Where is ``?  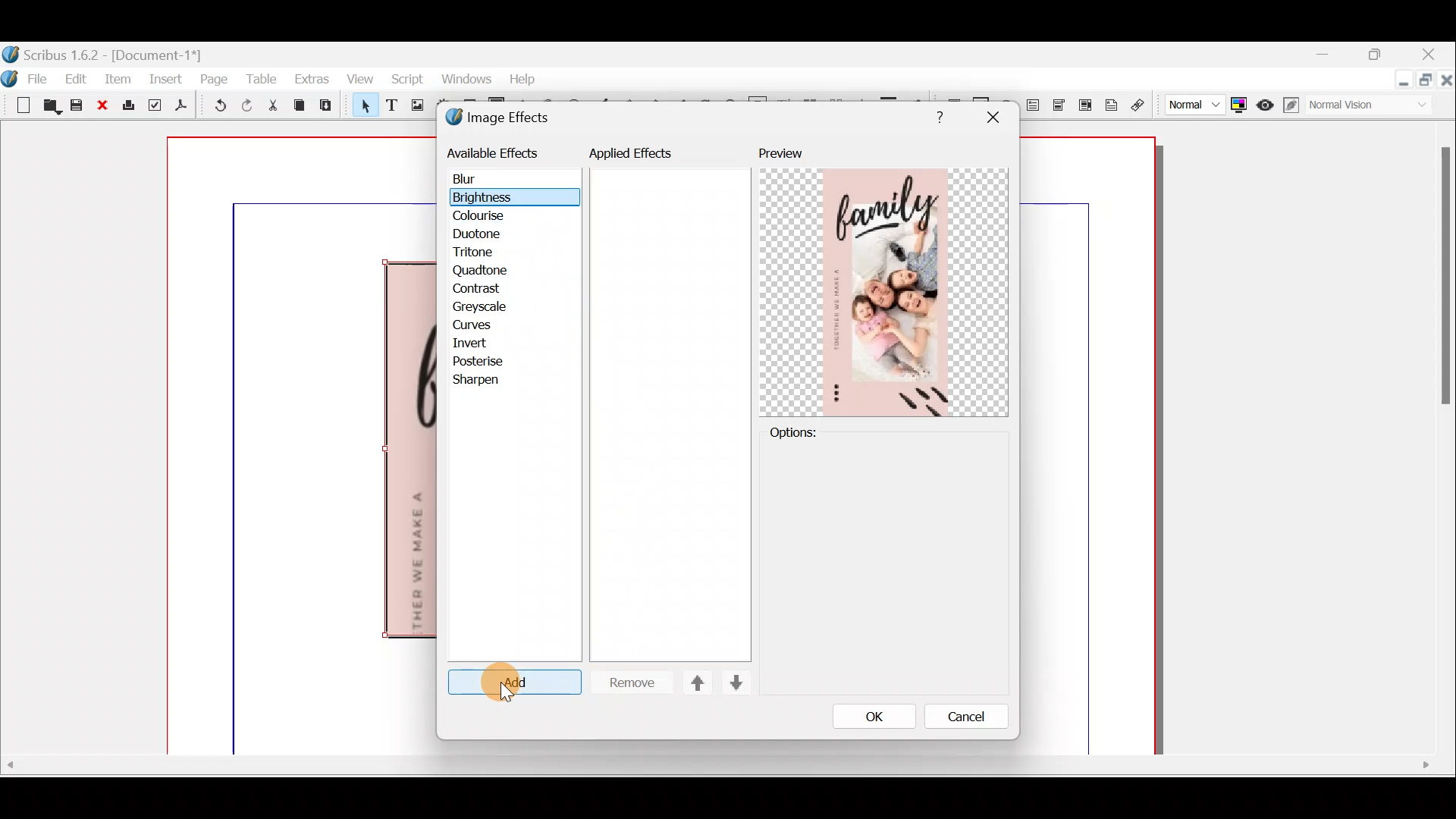  is located at coordinates (715, 765).